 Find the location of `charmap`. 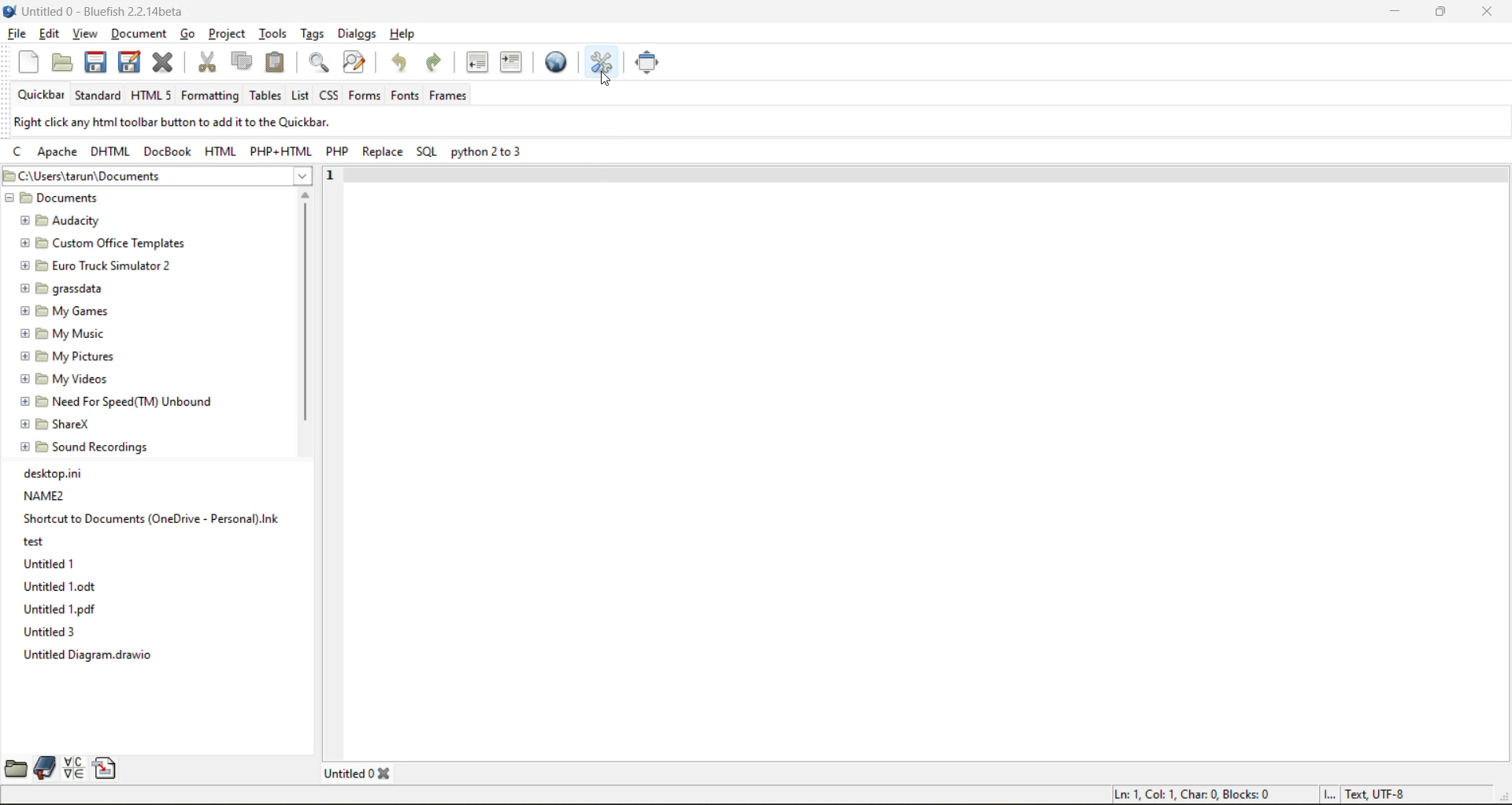

charmap is located at coordinates (74, 768).